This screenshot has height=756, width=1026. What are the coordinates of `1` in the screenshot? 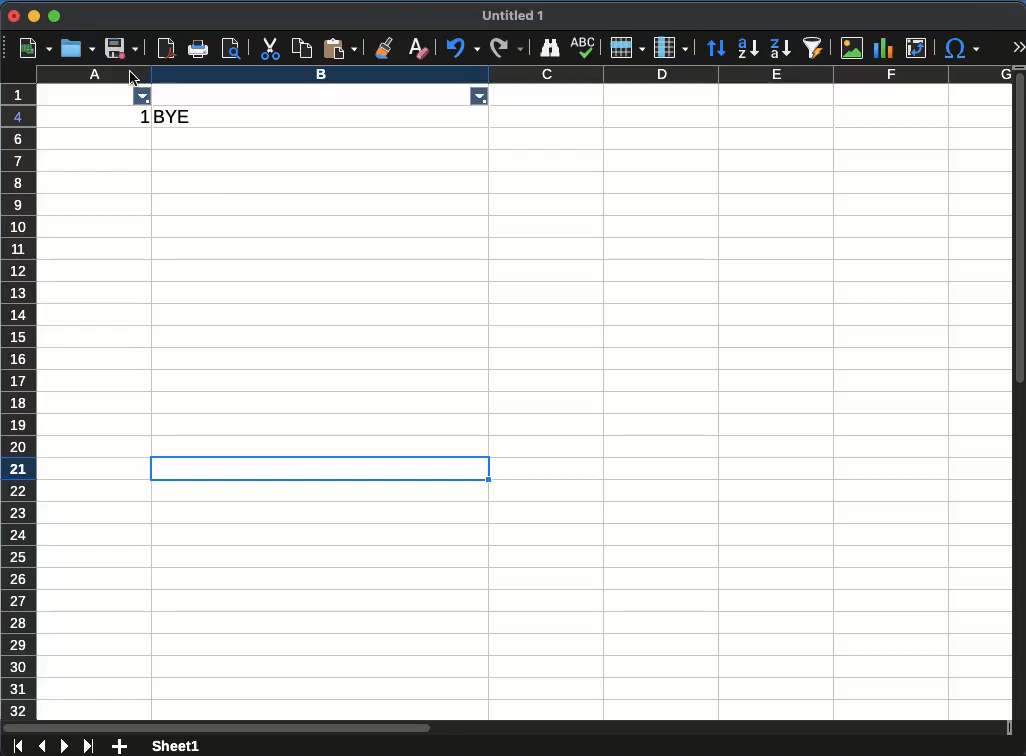 It's located at (142, 119).